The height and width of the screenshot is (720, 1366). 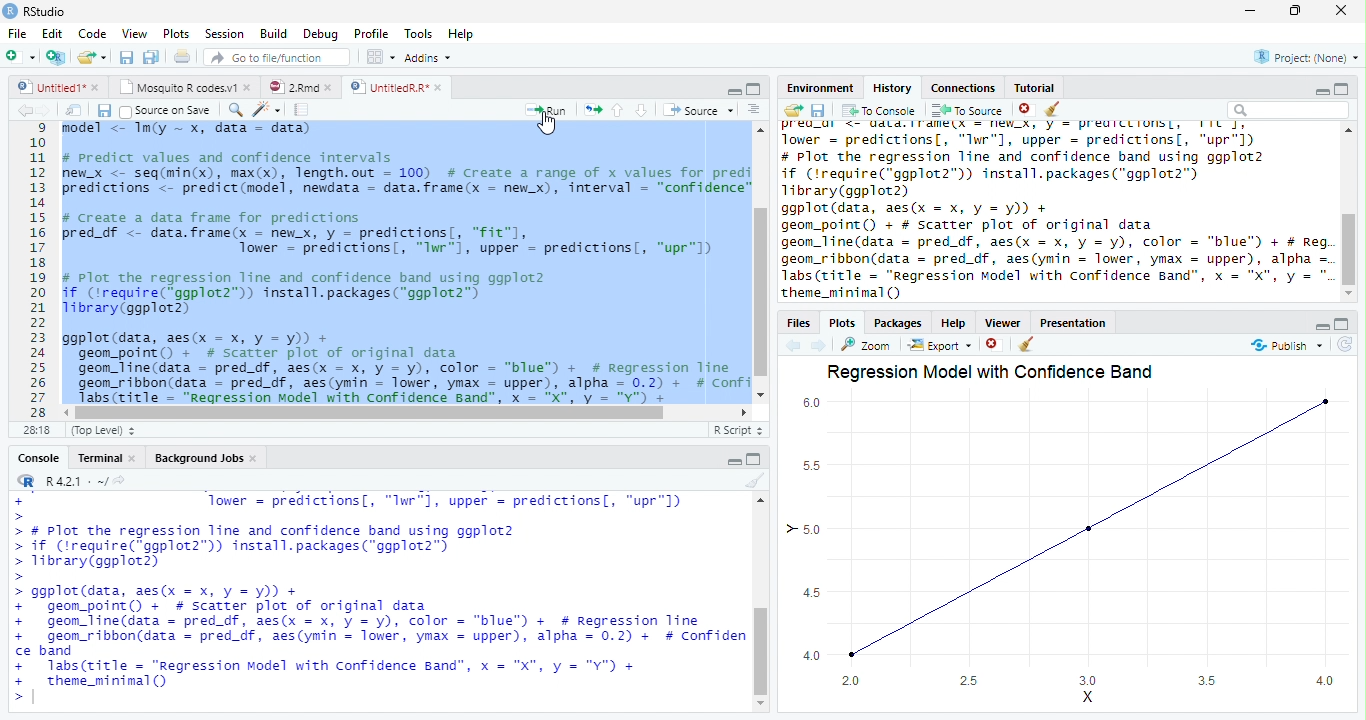 I want to click on Packages, so click(x=896, y=320).